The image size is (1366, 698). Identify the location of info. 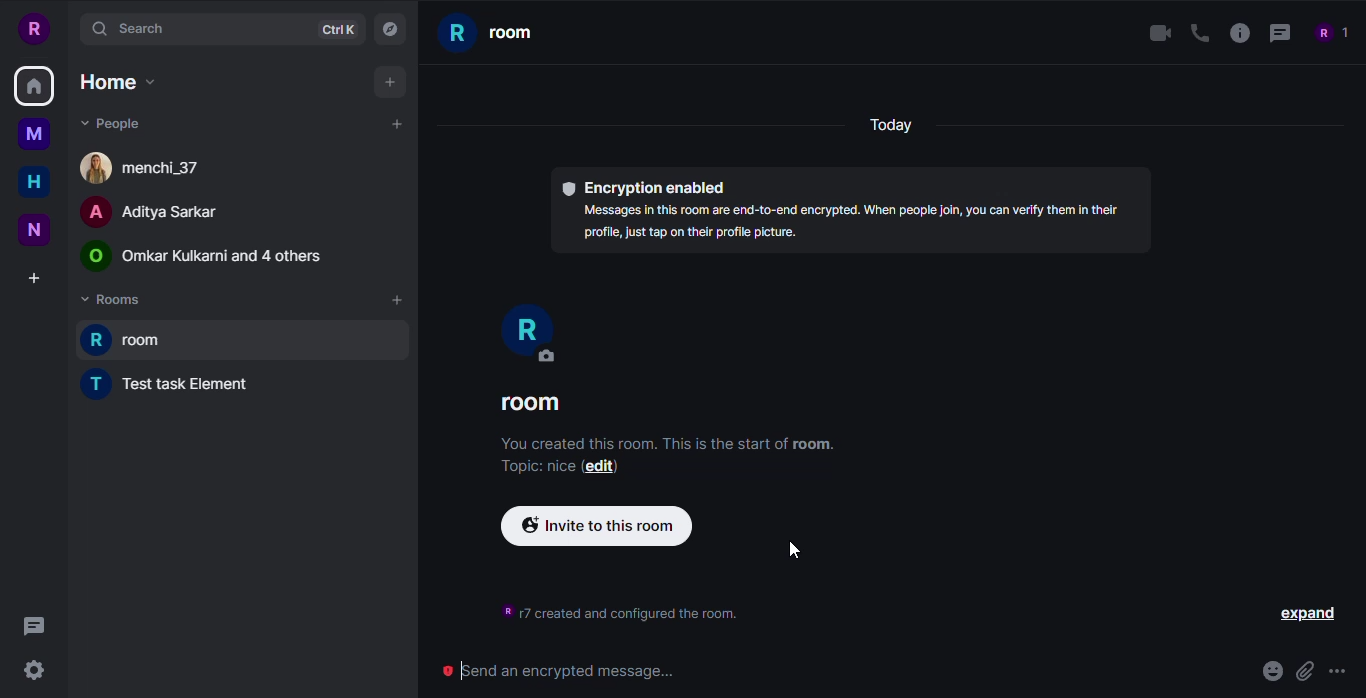
(1237, 34).